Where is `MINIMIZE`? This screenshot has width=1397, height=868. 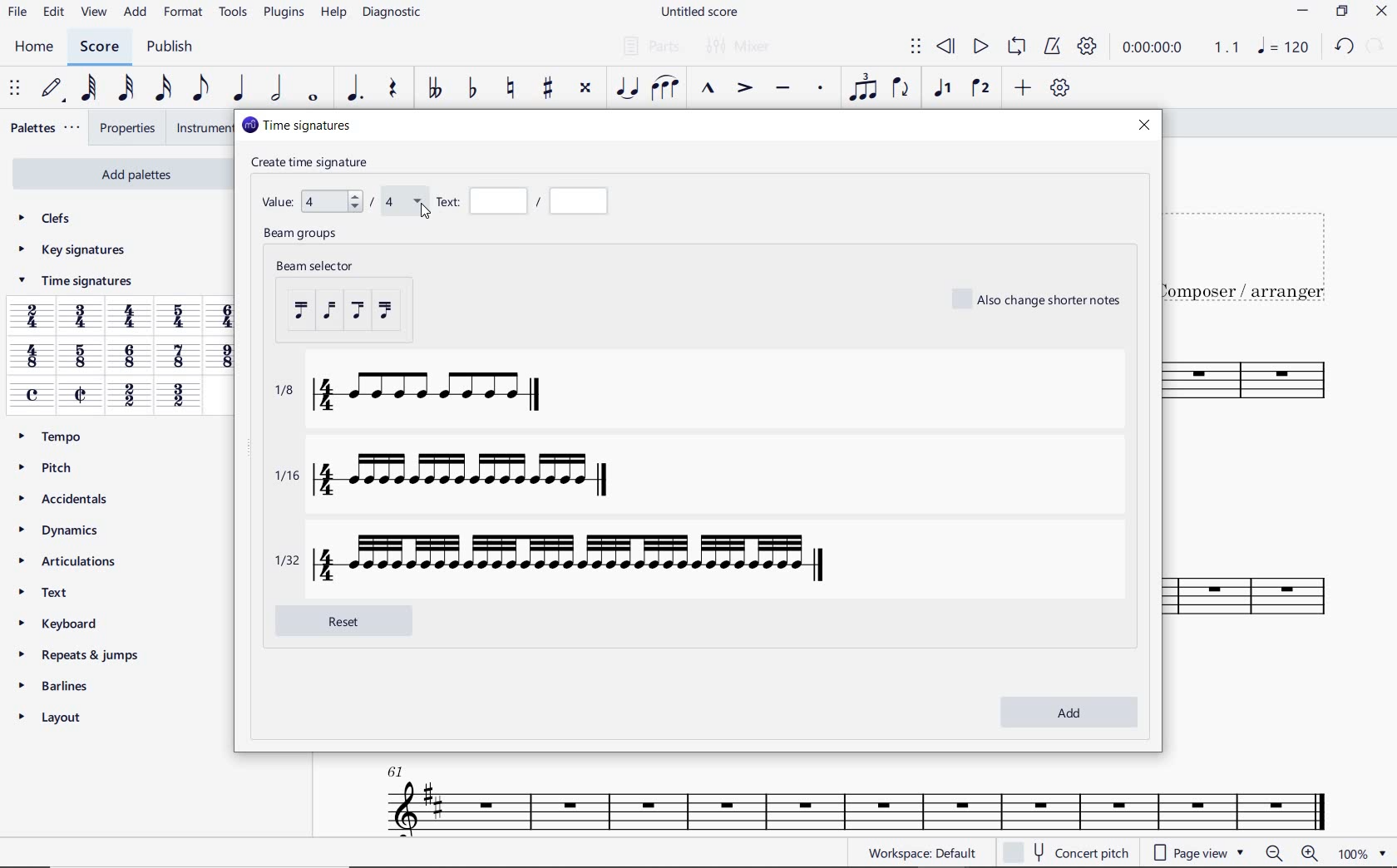
MINIMIZE is located at coordinates (1303, 11).